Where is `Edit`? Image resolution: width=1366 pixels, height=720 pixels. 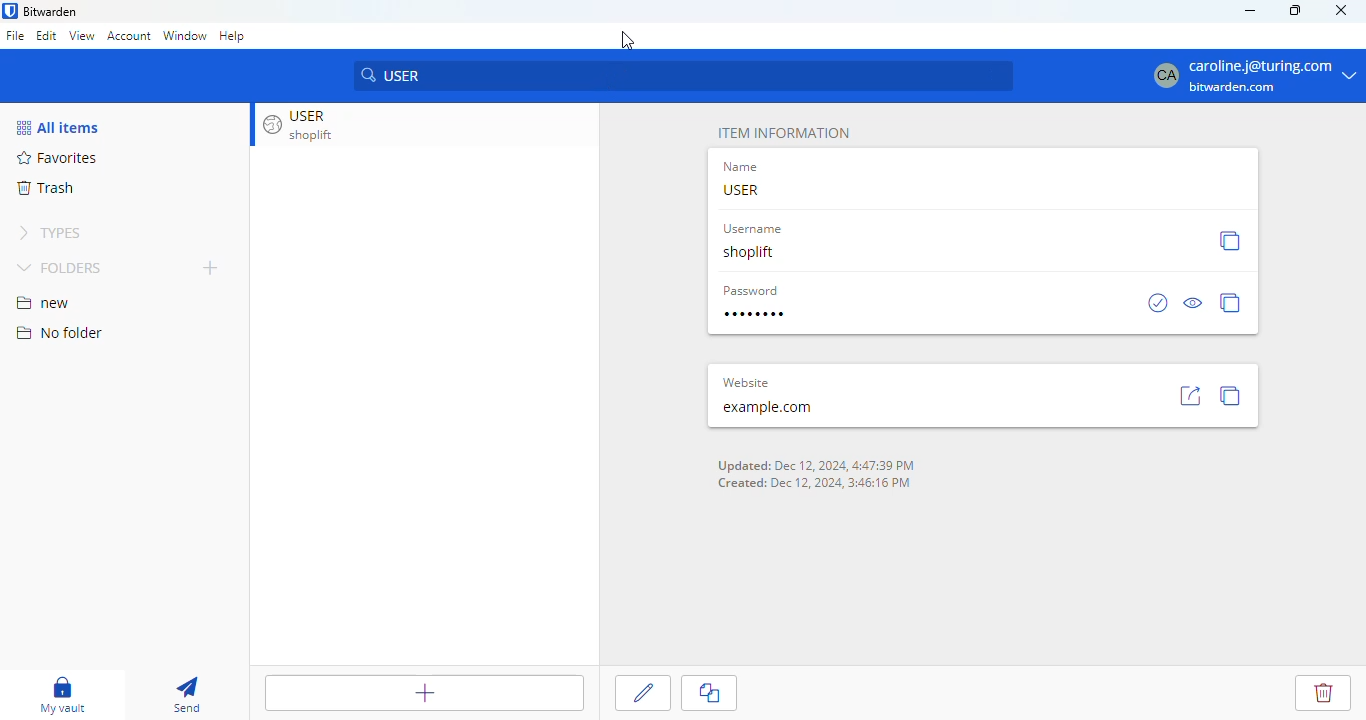 Edit is located at coordinates (641, 691).